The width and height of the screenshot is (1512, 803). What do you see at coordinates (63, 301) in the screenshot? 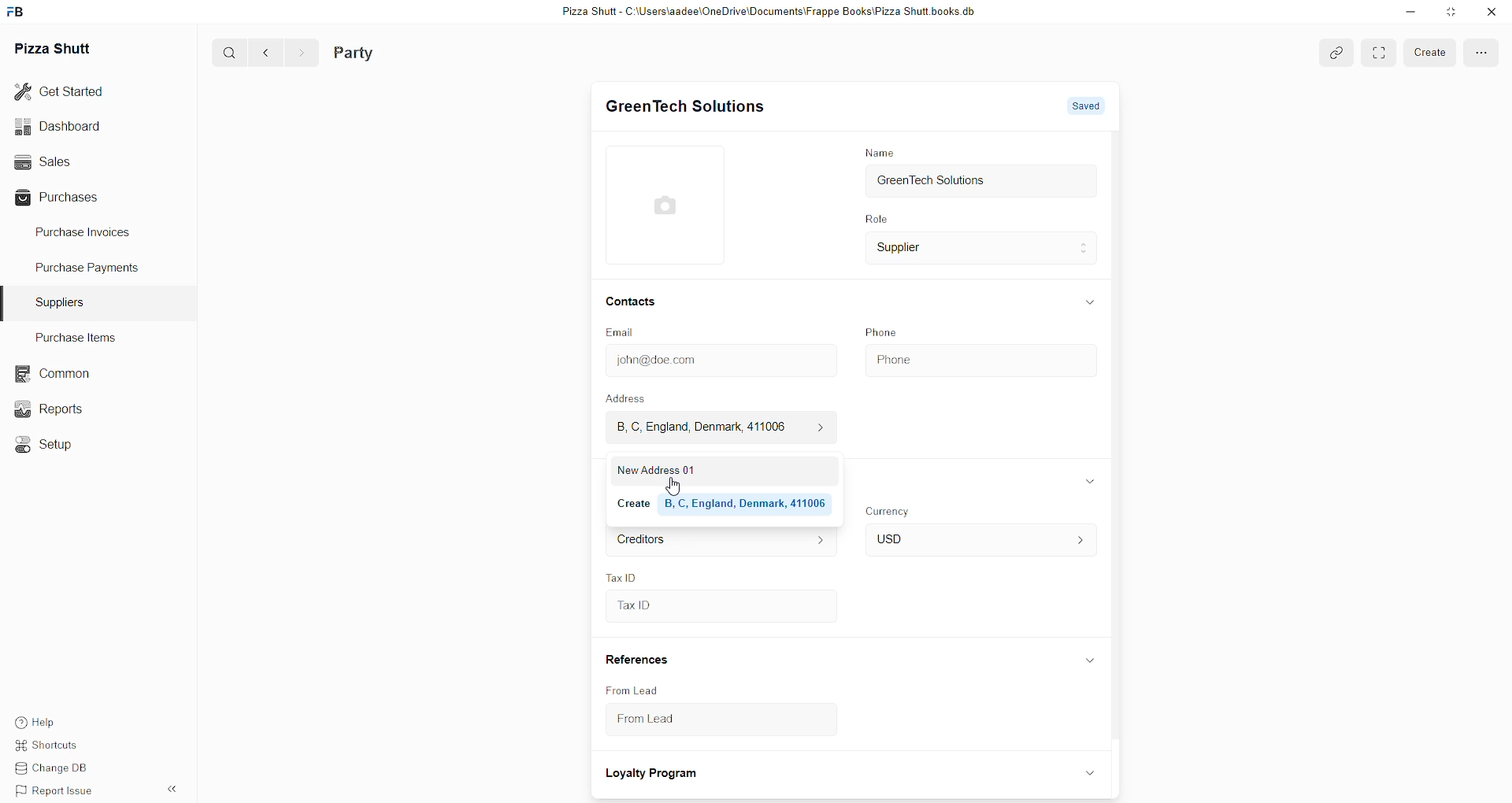
I see `Suppliers` at bounding box center [63, 301].